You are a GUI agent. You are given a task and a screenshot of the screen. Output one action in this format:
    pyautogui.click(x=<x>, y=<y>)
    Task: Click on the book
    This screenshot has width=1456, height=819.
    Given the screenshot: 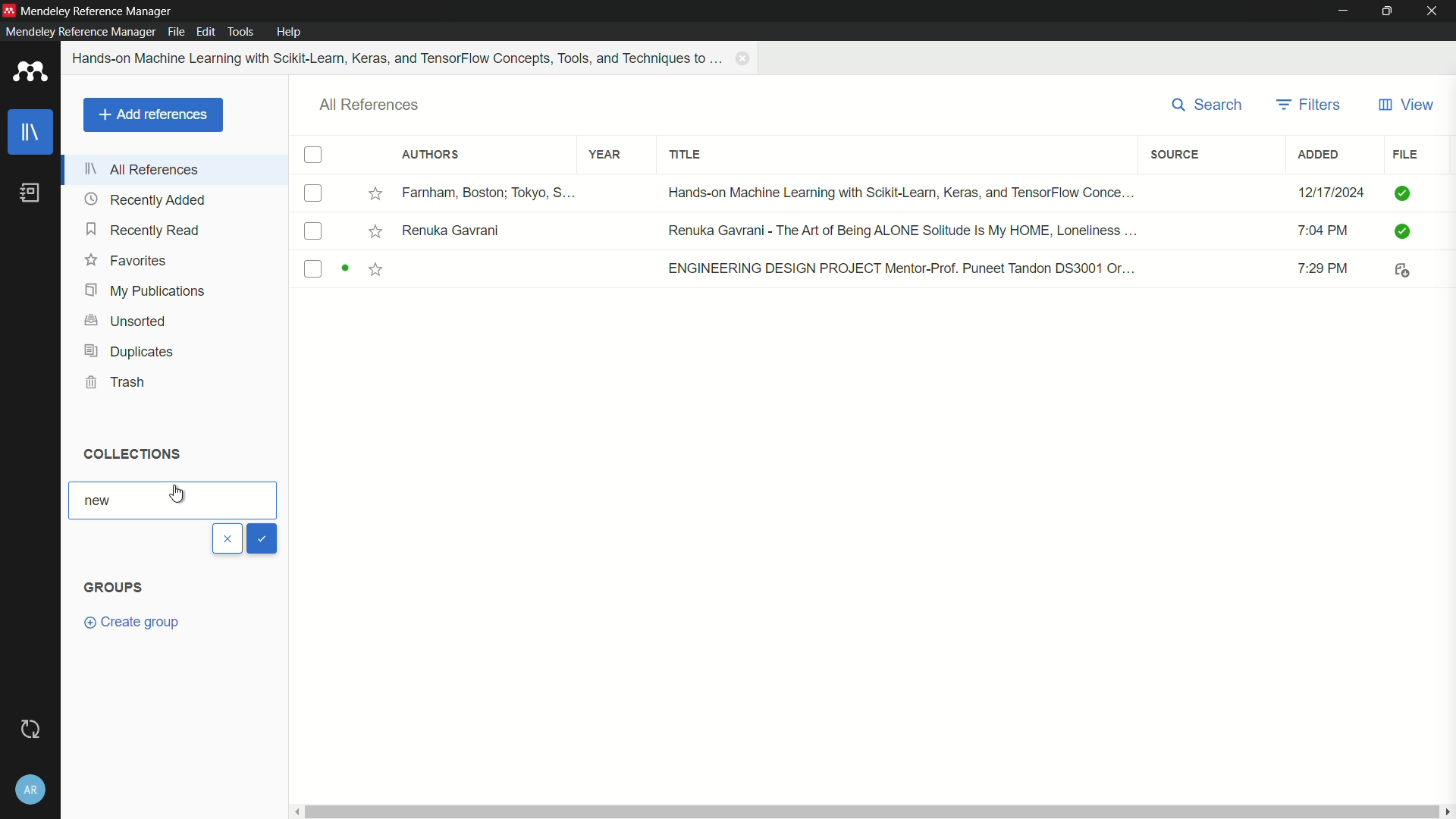 What is the action you would take?
    pyautogui.click(x=30, y=193)
    